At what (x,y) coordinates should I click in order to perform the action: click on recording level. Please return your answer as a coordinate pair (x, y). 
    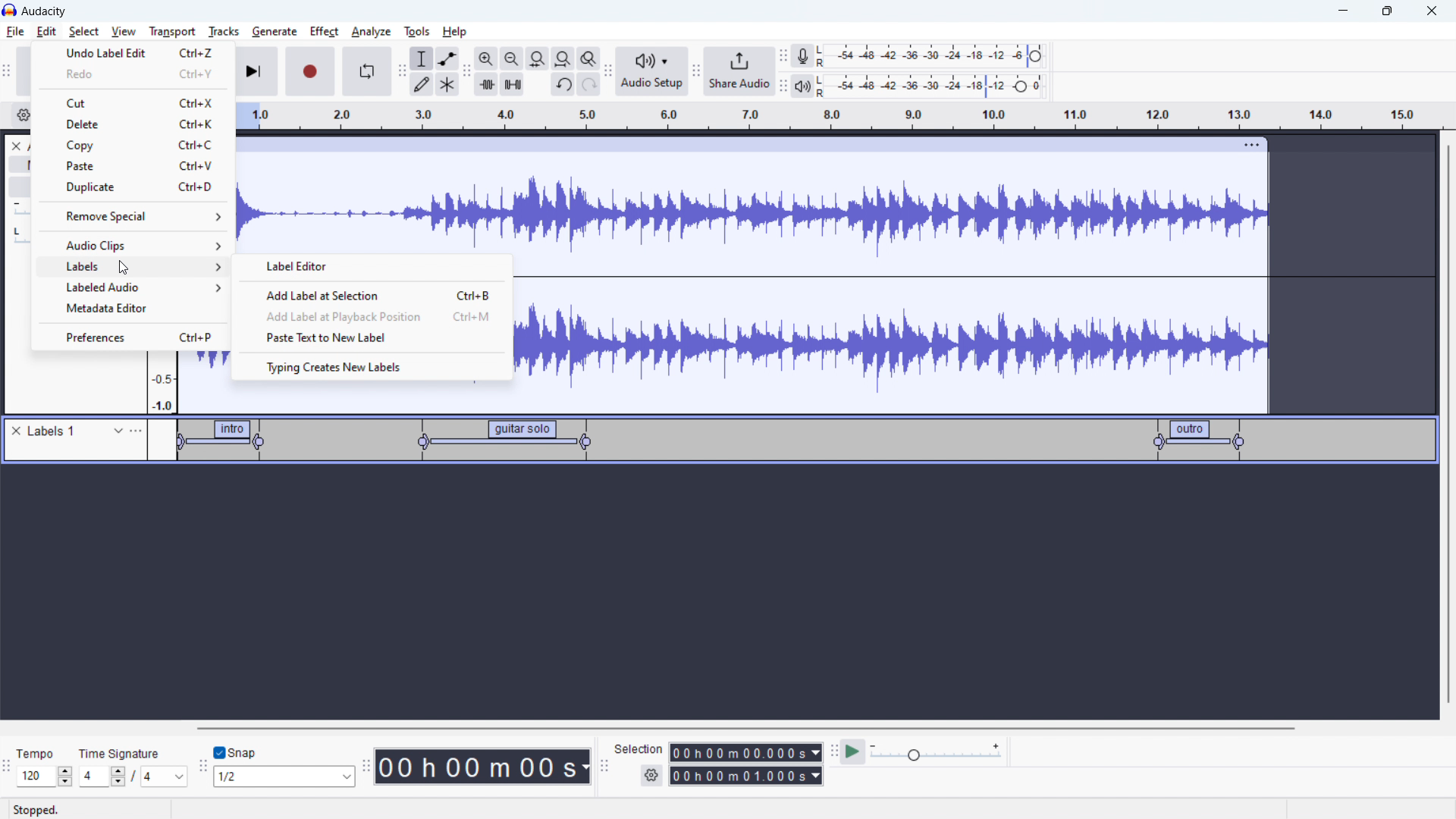
    Looking at the image, I should click on (940, 56).